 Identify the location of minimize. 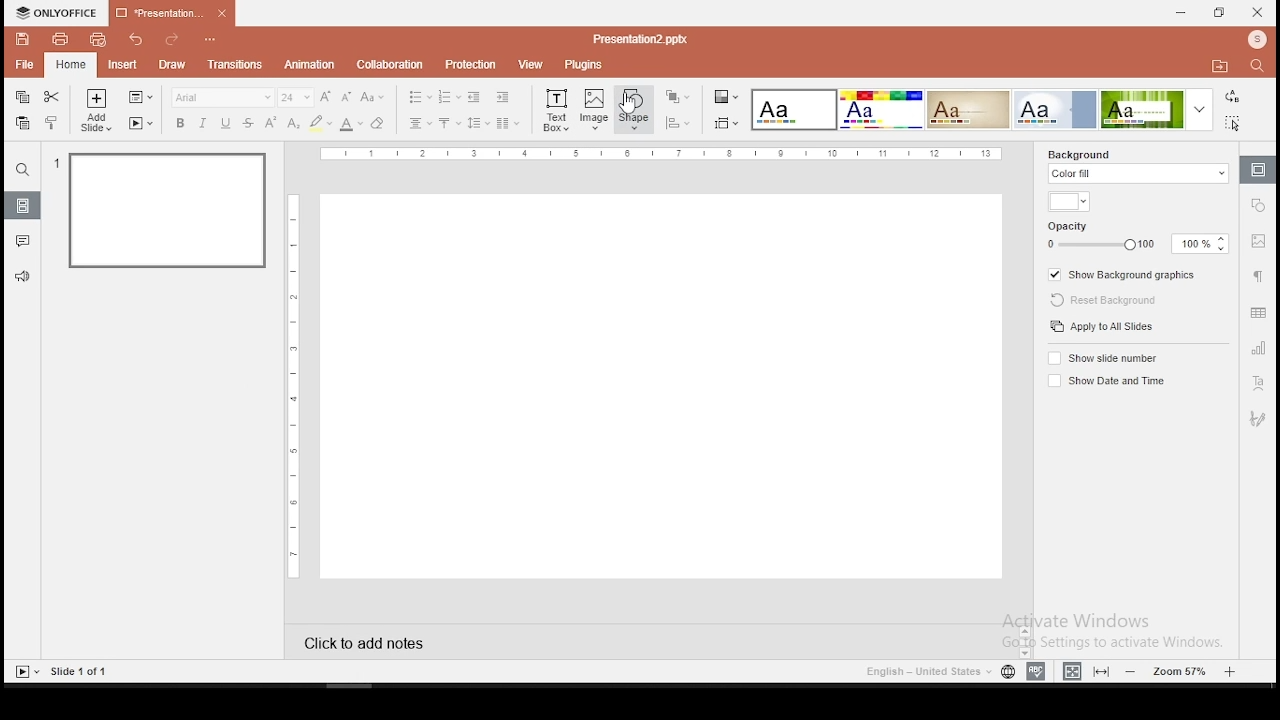
(1182, 14).